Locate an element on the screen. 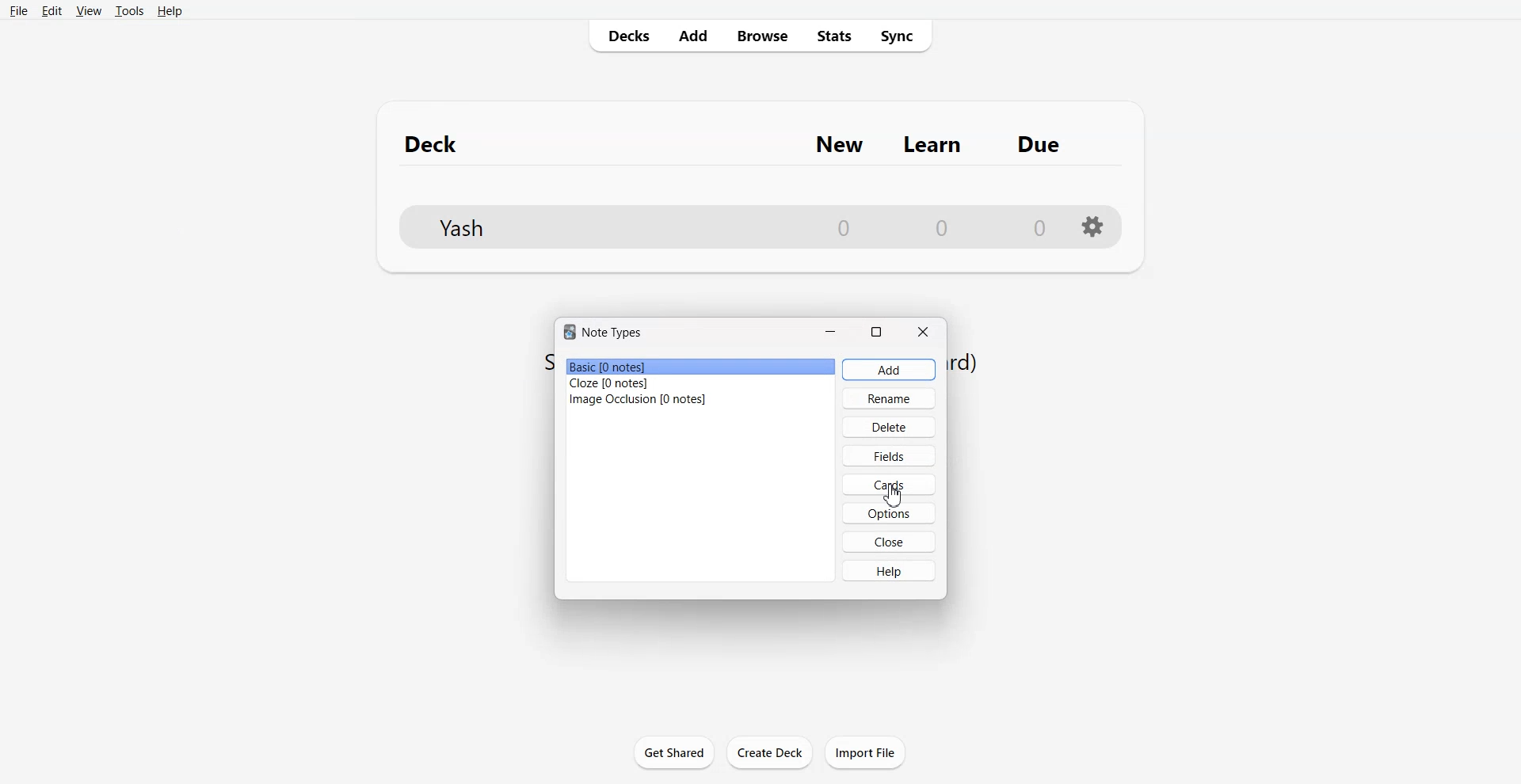 The height and width of the screenshot is (784, 1521). Create Deck is located at coordinates (769, 752).